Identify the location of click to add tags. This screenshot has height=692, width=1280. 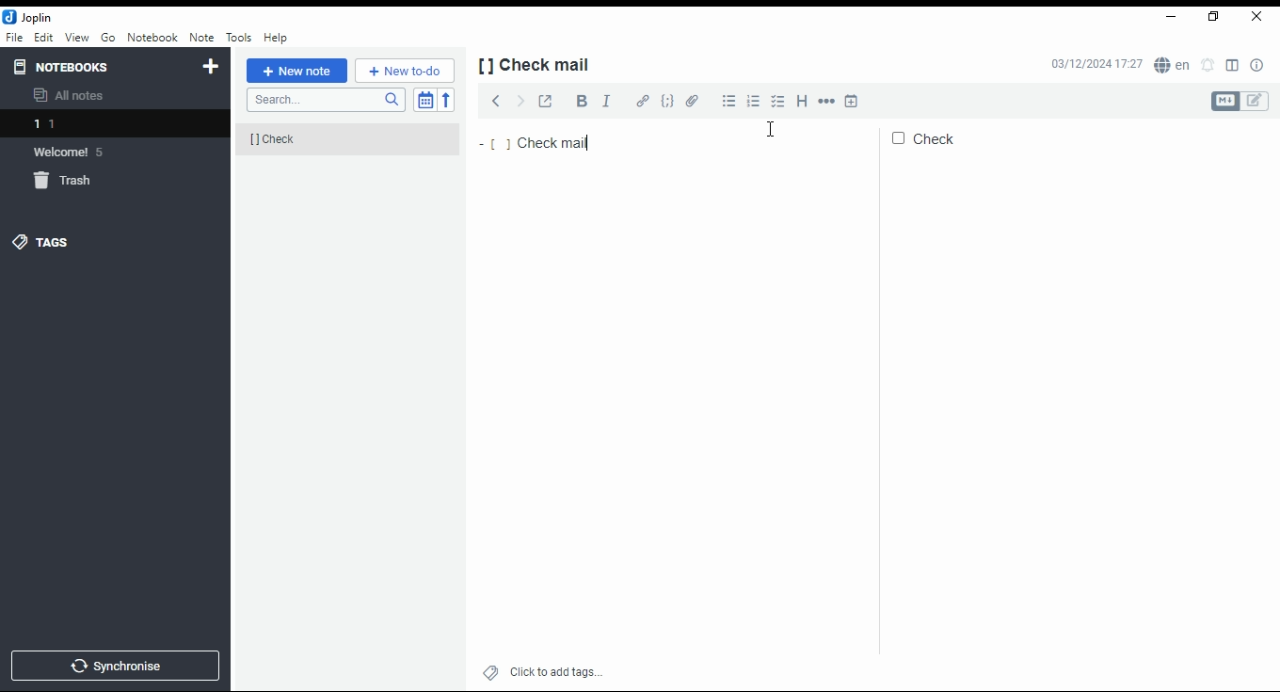
(543, 674).